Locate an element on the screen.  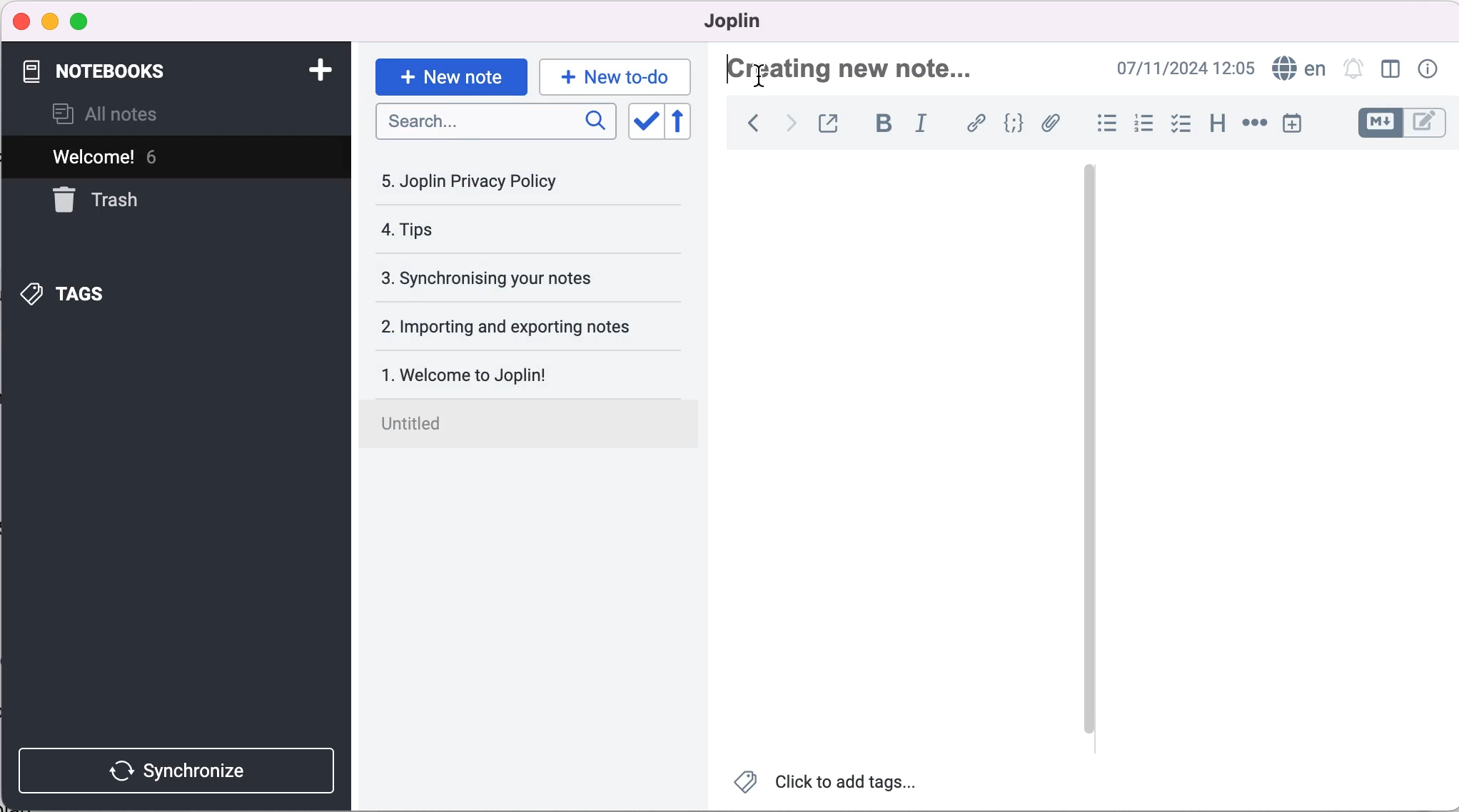
click to add tags is located at coordinates (827, 785).